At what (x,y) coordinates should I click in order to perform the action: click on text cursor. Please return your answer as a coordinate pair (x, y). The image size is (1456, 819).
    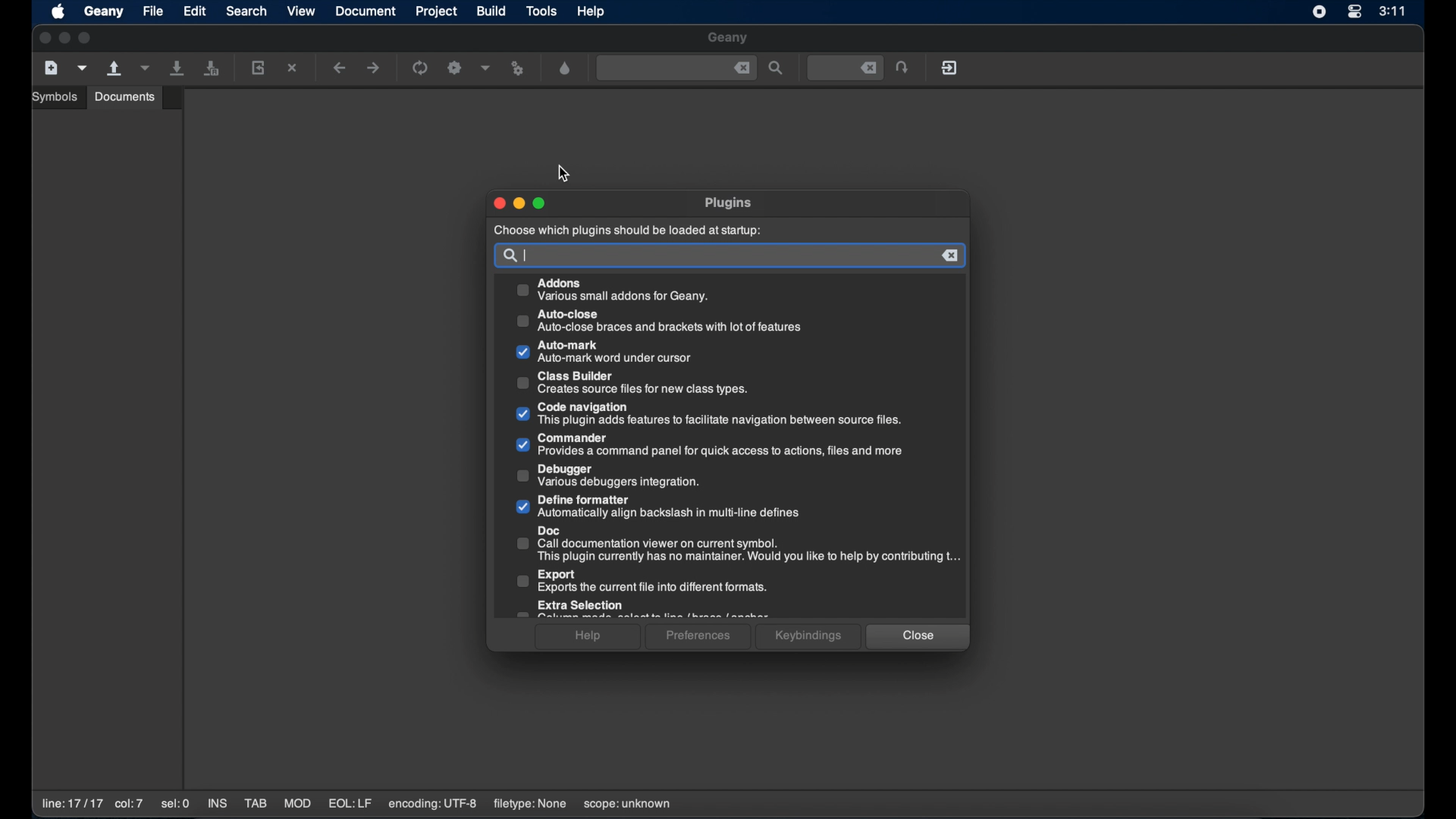
    Looking at the image, I should click on (526, 255).